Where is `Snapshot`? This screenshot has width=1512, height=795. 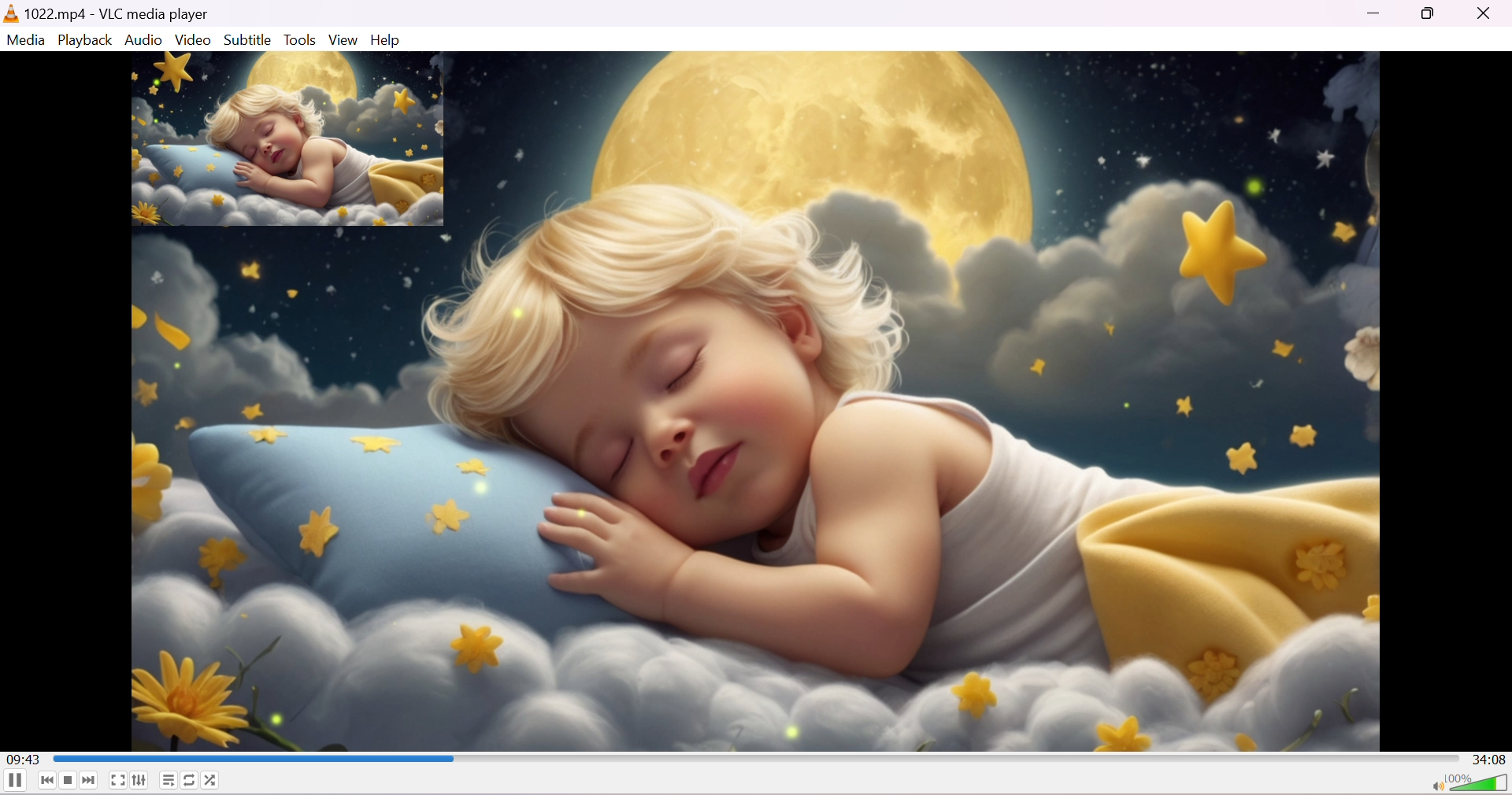 Snapshot is located at coordinates (288, 140).